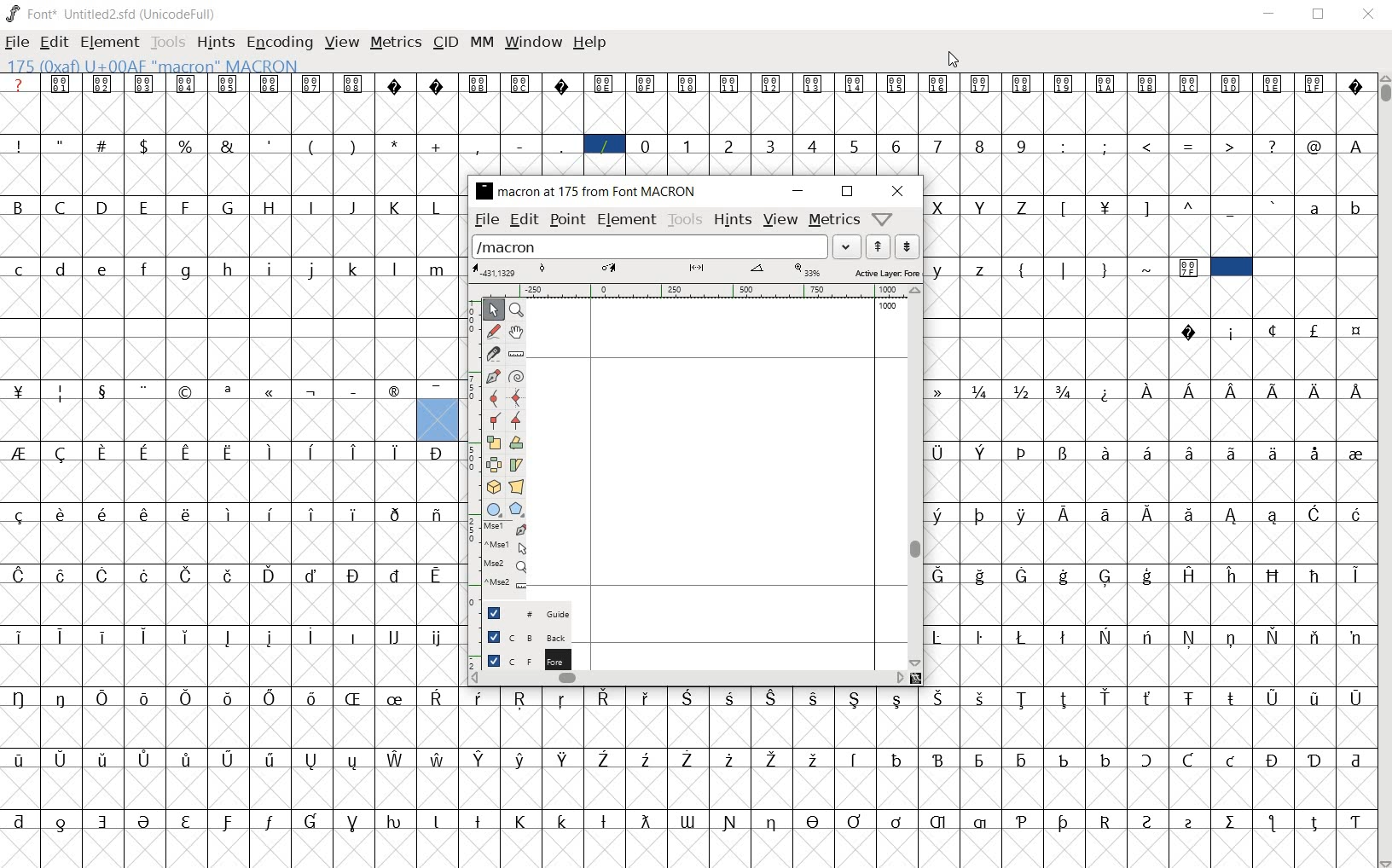 This screenshot has height=868, width=1392. I want to click on !, so click(19, 145).